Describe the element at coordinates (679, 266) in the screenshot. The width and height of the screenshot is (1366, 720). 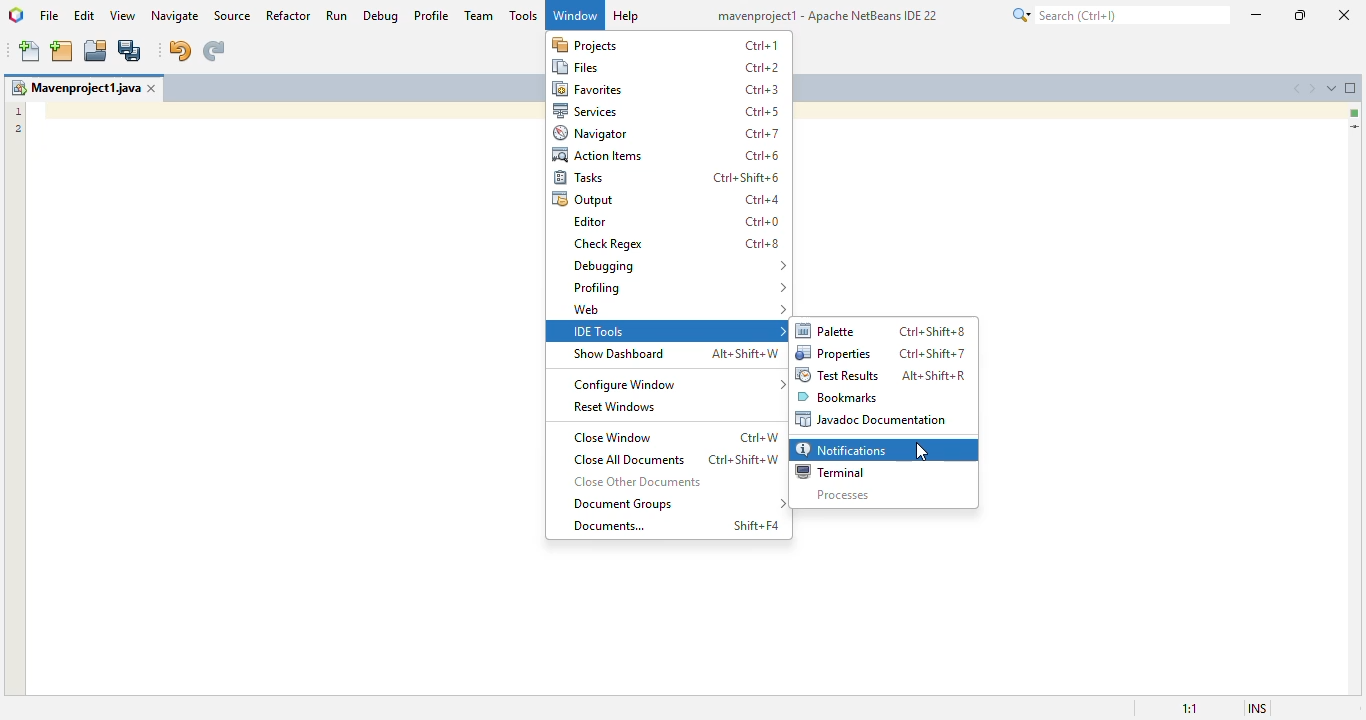
I see `debugging` at that location.